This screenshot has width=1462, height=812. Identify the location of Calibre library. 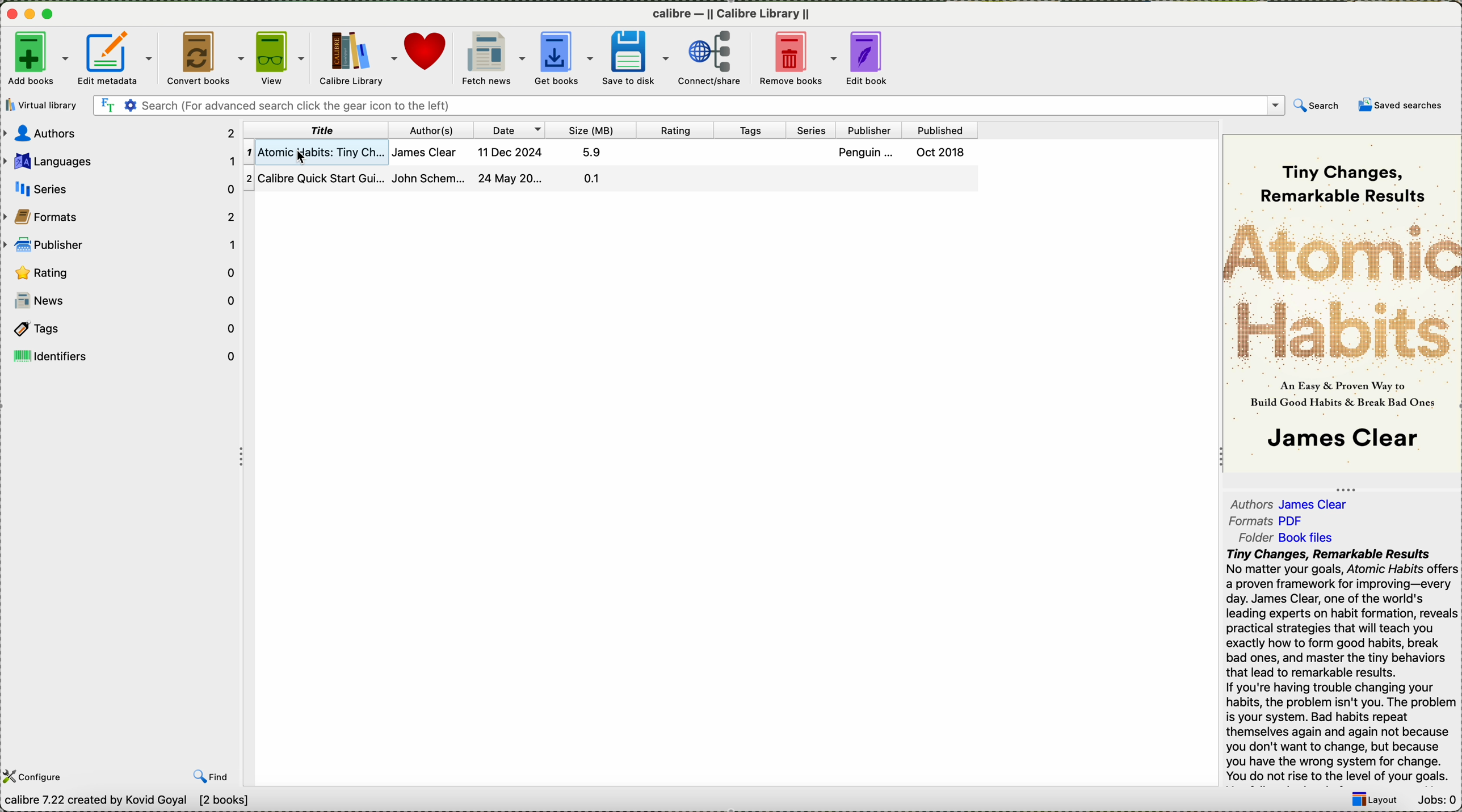
(359, 57).